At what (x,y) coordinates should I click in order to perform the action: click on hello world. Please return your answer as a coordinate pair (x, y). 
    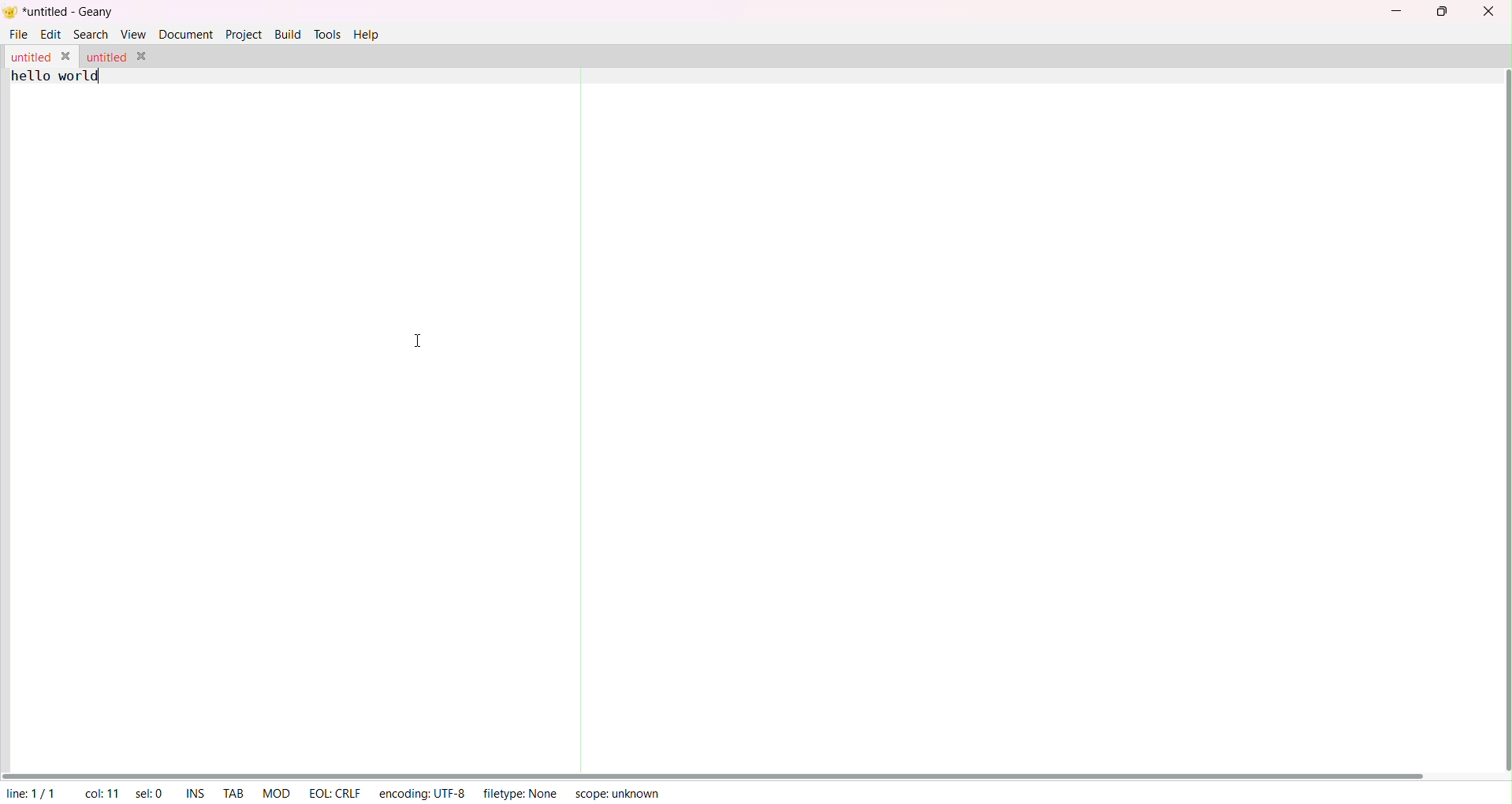
    Looking at the image, I should click on (56, 77).